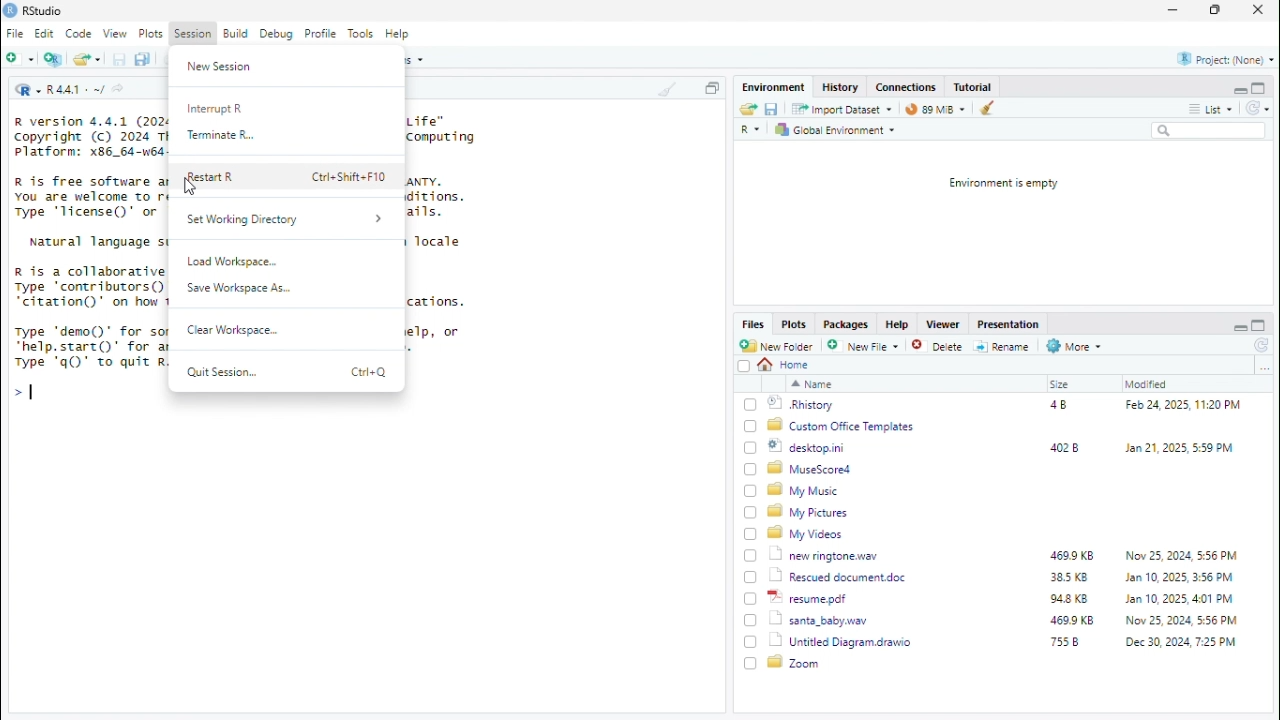 The width and height of the screenshot is (1280, 720). I want to click on save, so click(773, 109).